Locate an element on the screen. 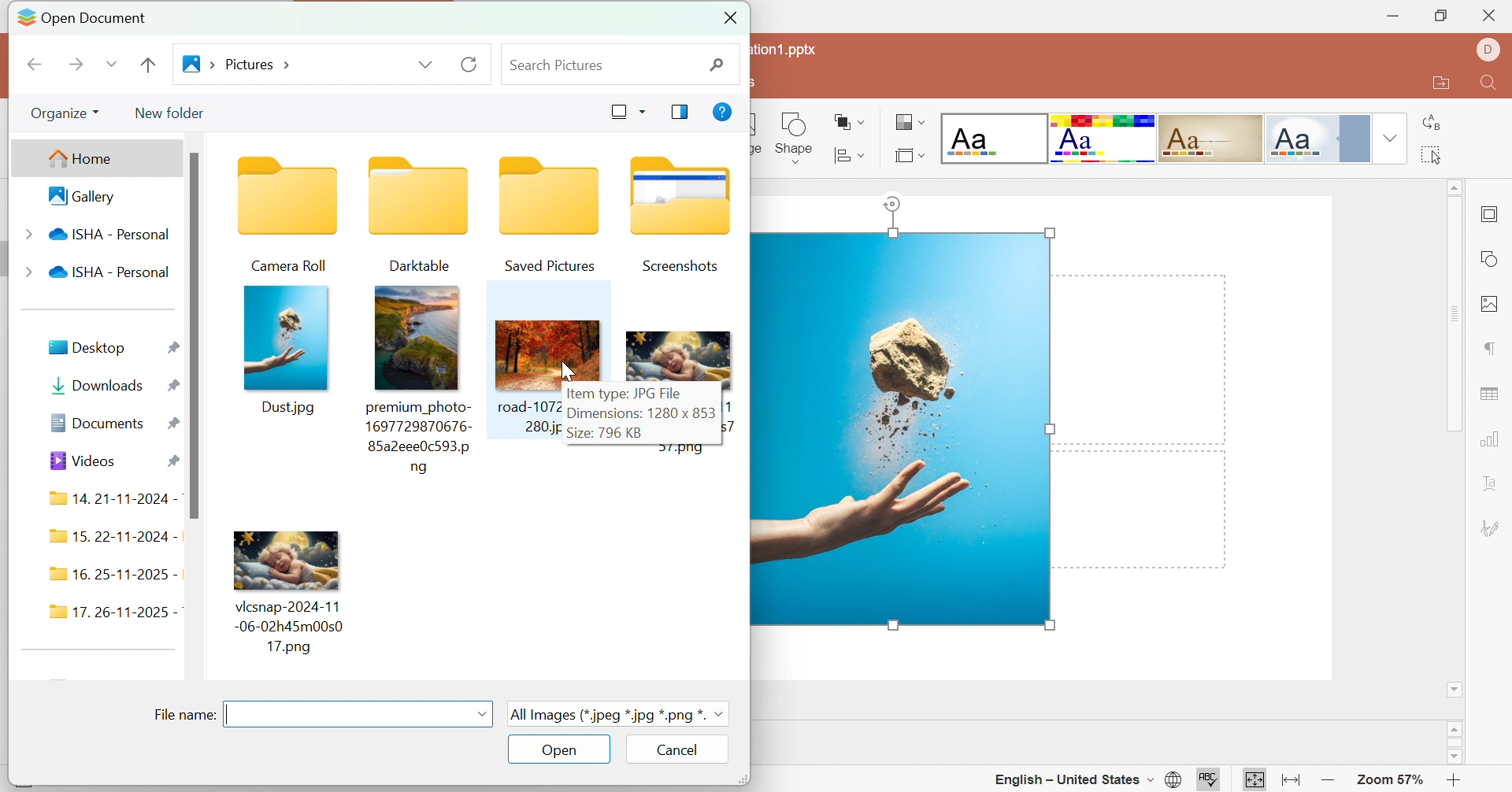 Image resolution: width=1512 pixels, height=792 pixels. Align shape is located at coordinates (850, 121).